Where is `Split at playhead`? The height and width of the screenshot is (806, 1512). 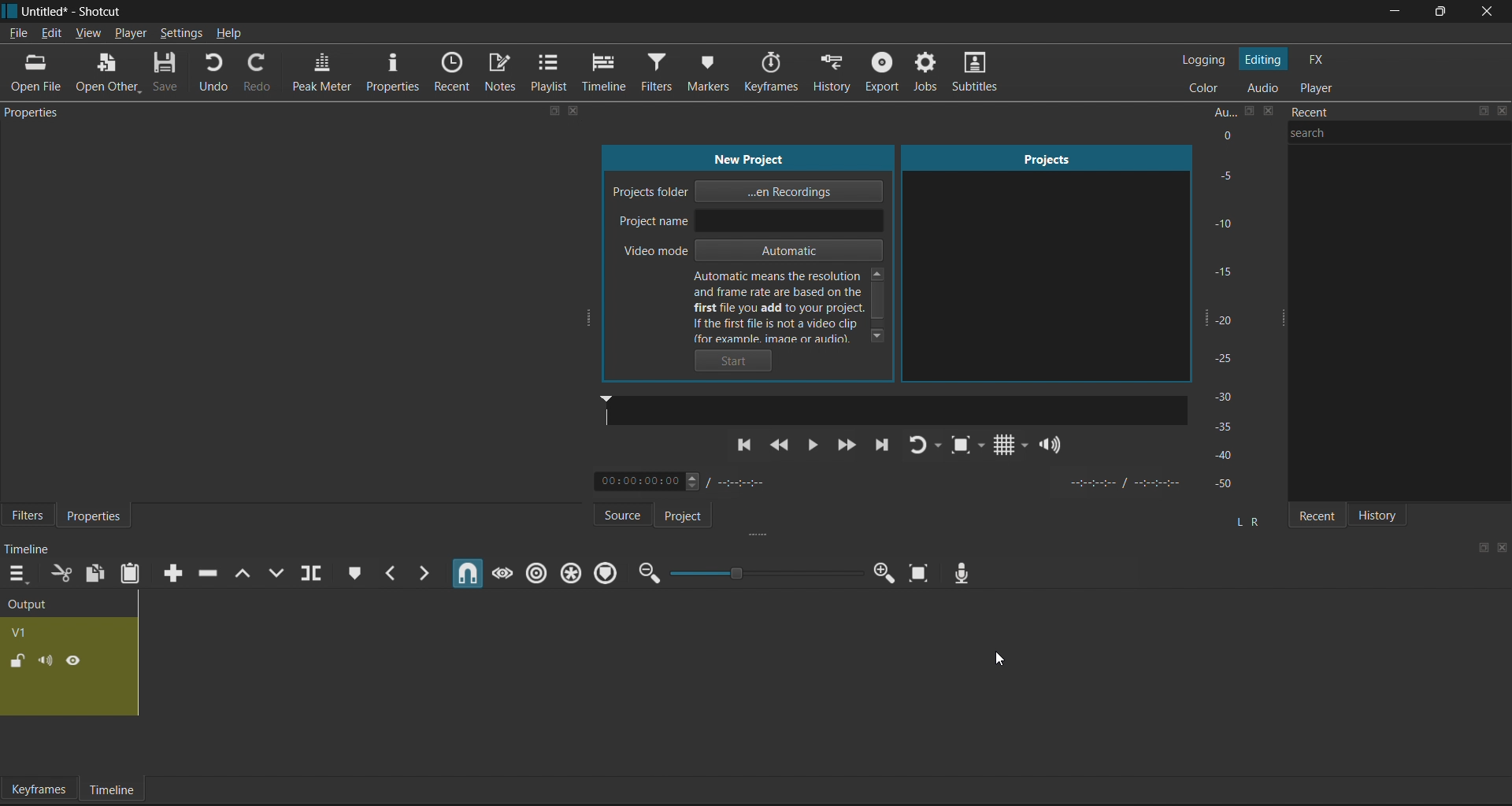
Split at playhead is located at coordinates (317, 575).